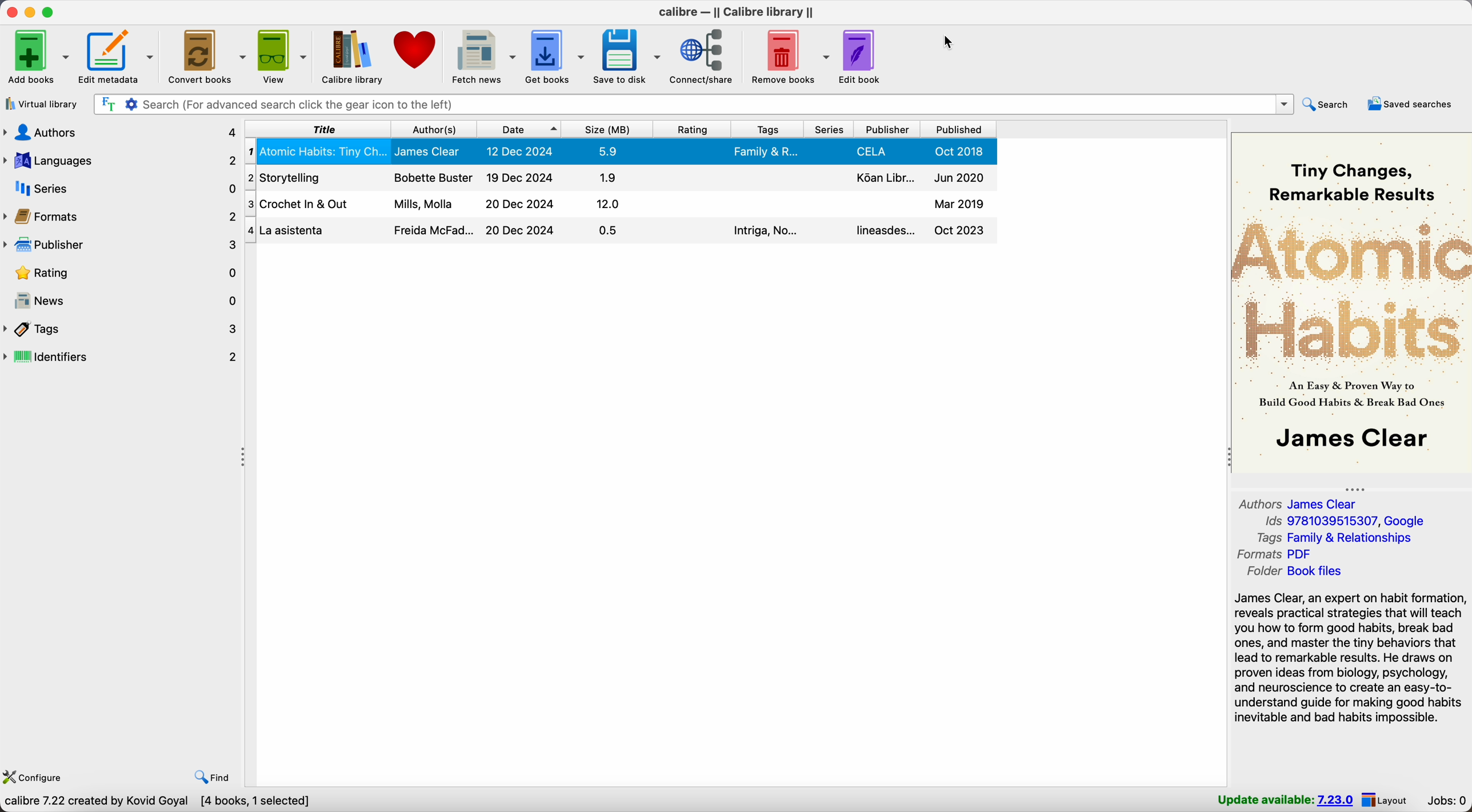  Describe the element at coordinates (50, 11) in the screenshot. I see `maximize` at that location.